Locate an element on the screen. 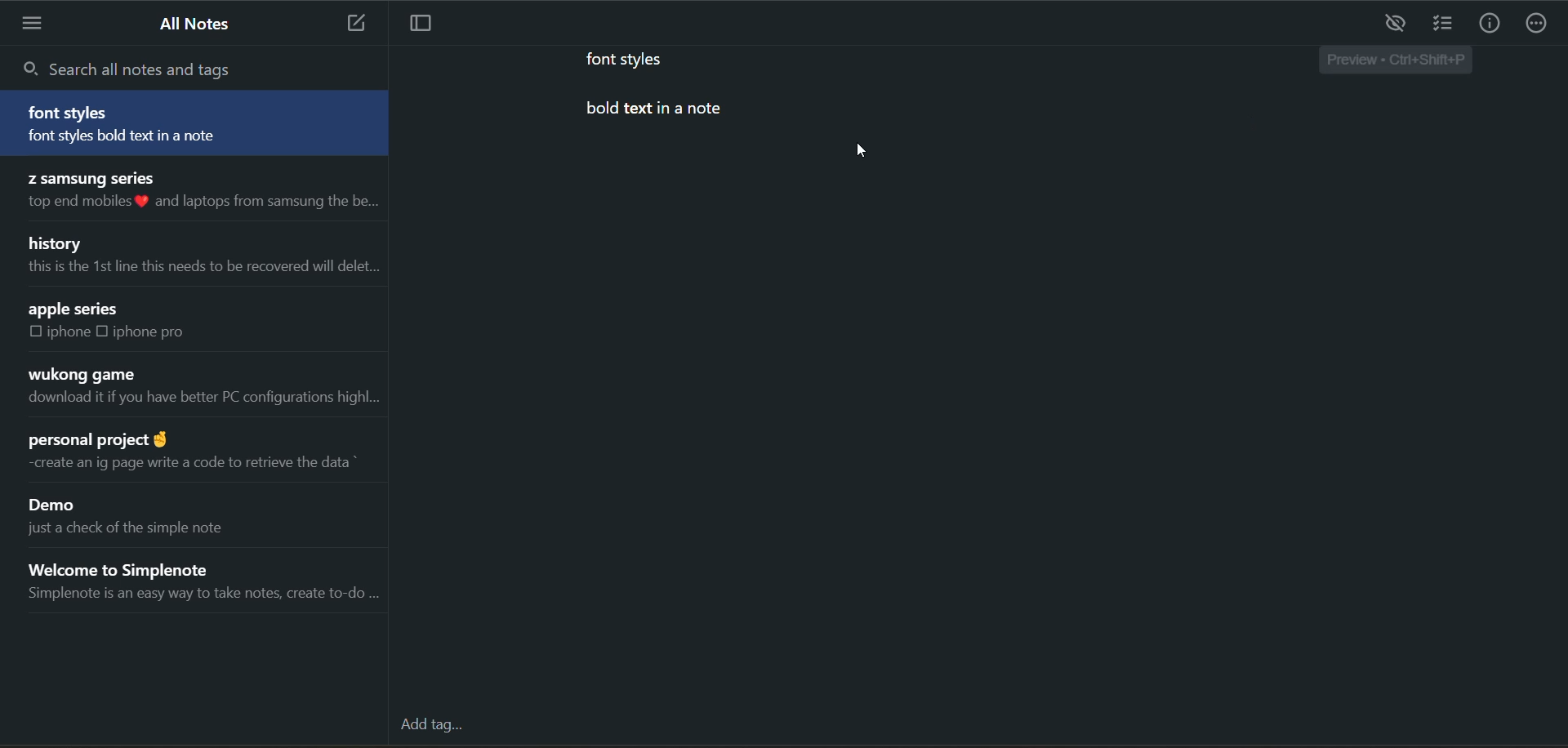 Image resolution: width=1568 pixels, height=748 pixels. add new note is located at coordinates (350, 24).